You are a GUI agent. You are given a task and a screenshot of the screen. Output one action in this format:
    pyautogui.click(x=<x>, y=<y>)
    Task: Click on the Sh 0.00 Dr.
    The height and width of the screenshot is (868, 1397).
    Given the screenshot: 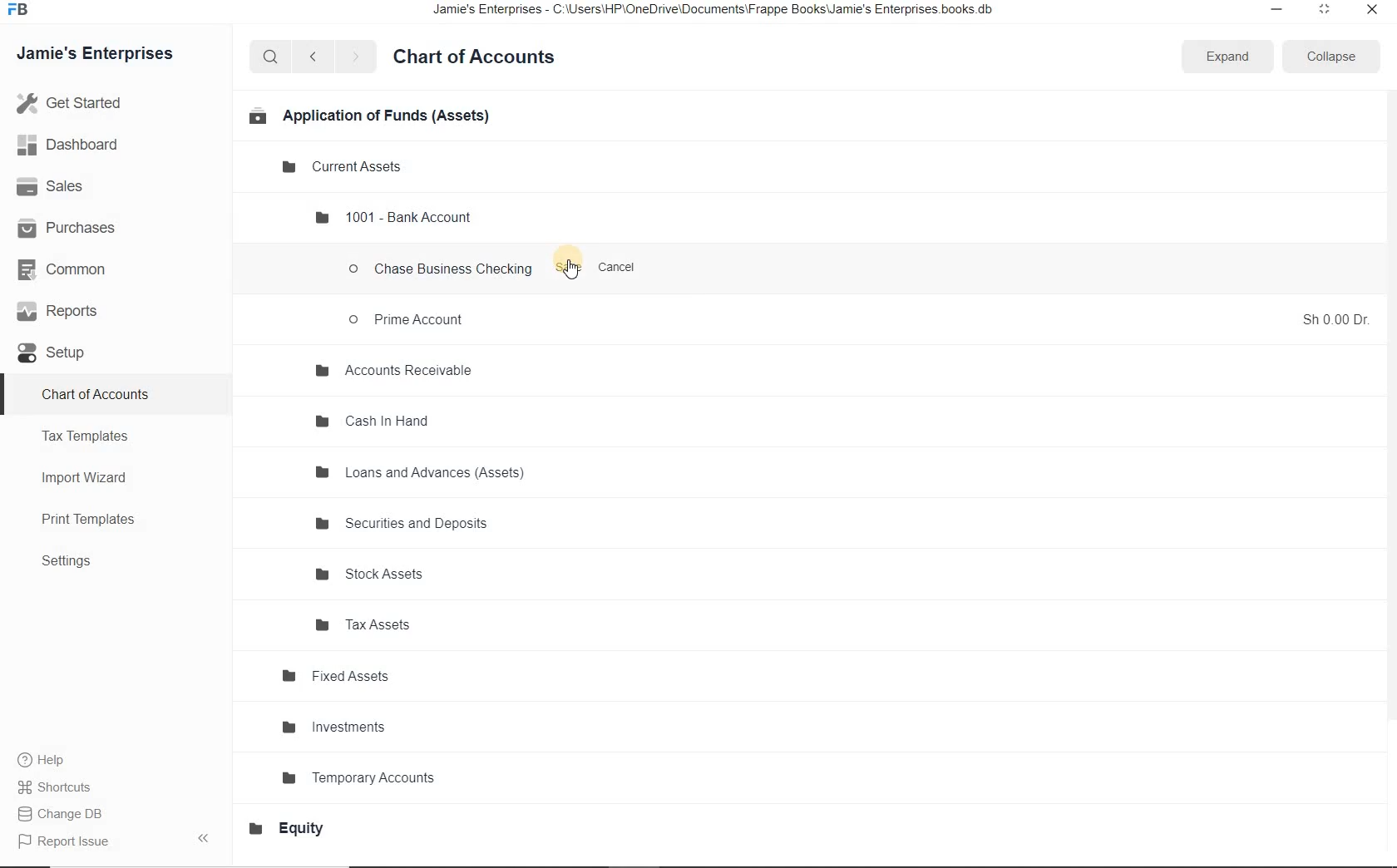 What is the action you would take?
    pyautogui.click(x=1336, y=318)
    